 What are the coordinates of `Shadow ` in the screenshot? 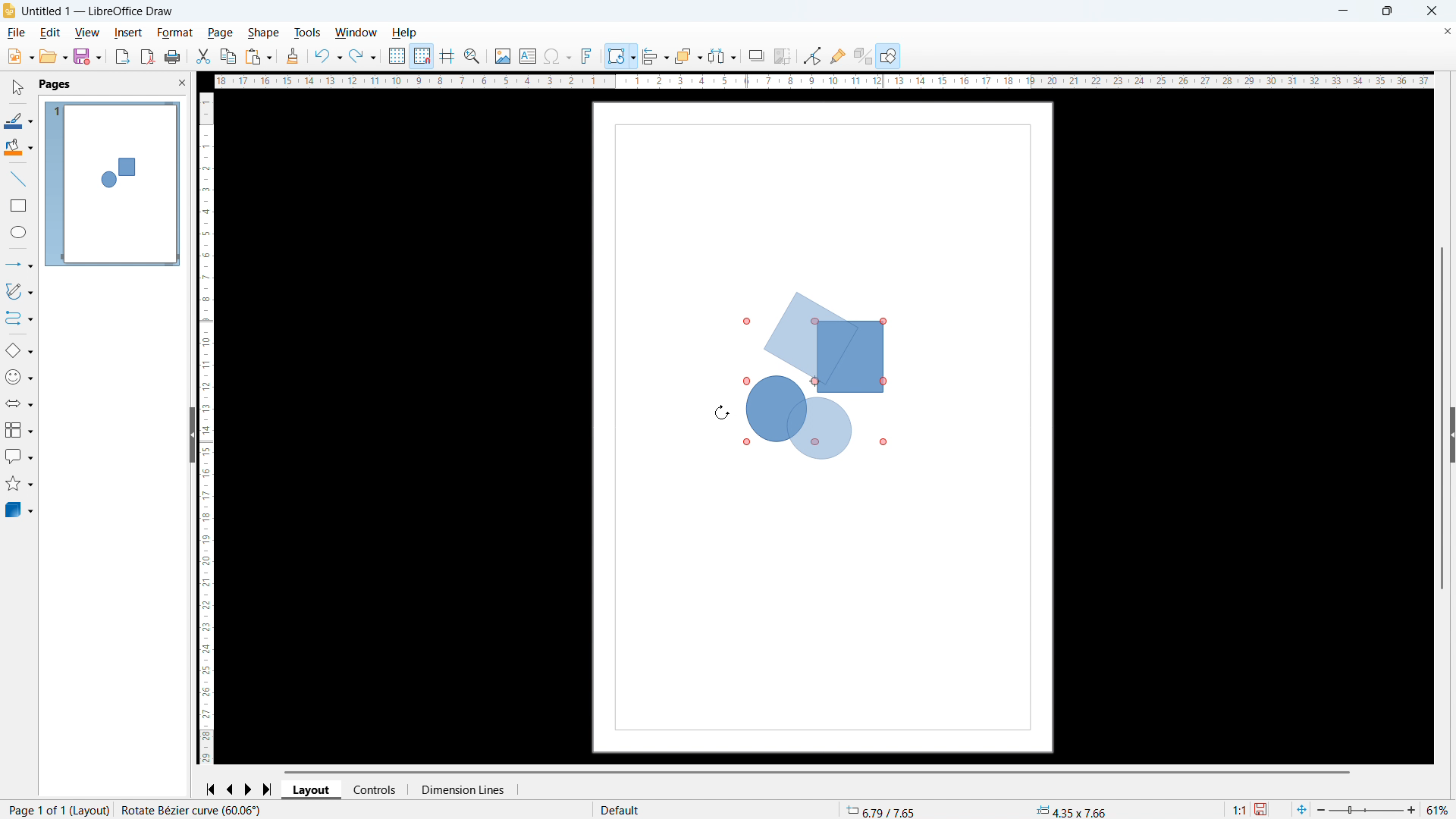 It's located at (756, 55).